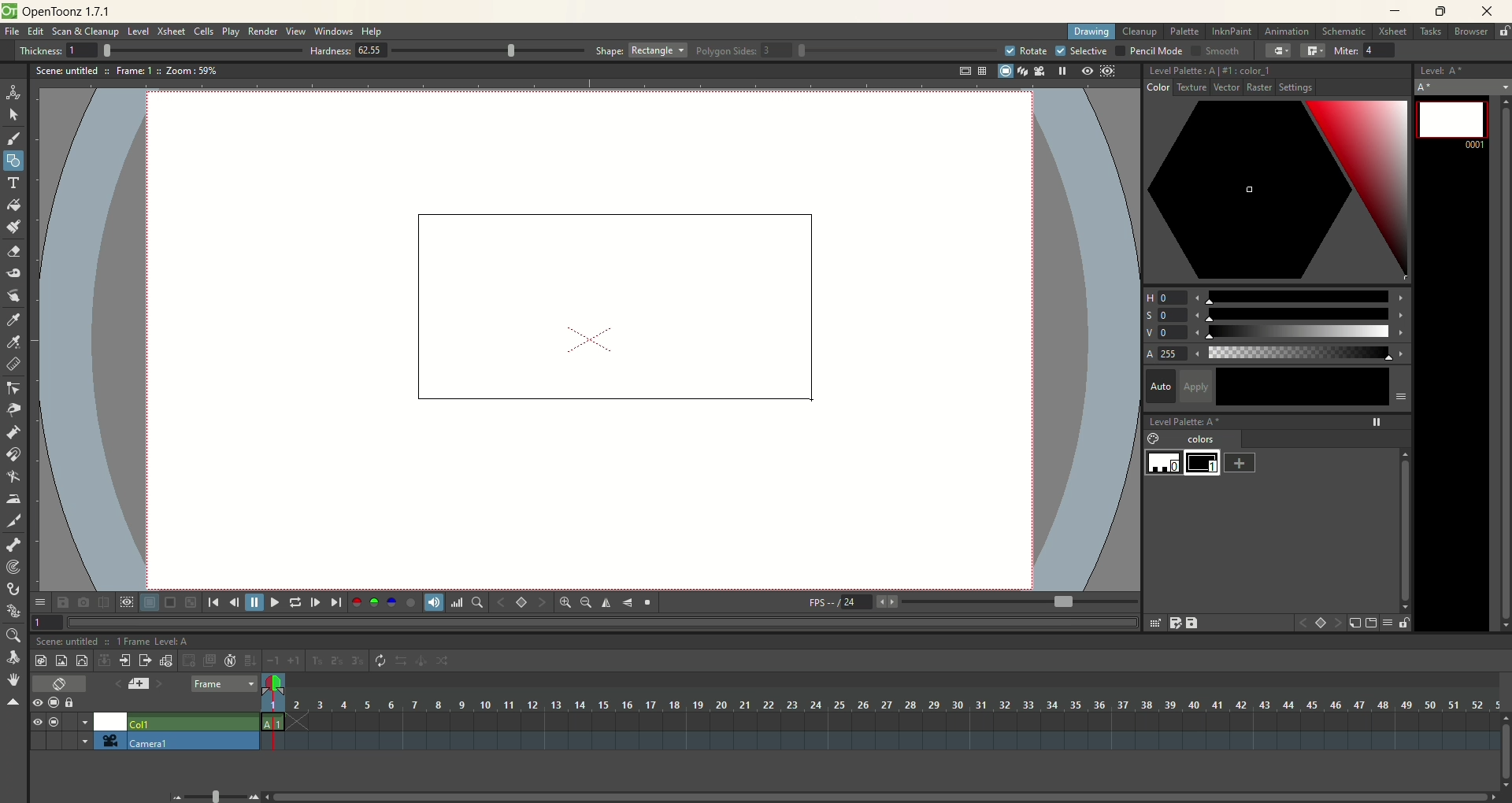 This screenshot has width=1512, height=803. I want to click on snapchat, so click(83, 602).